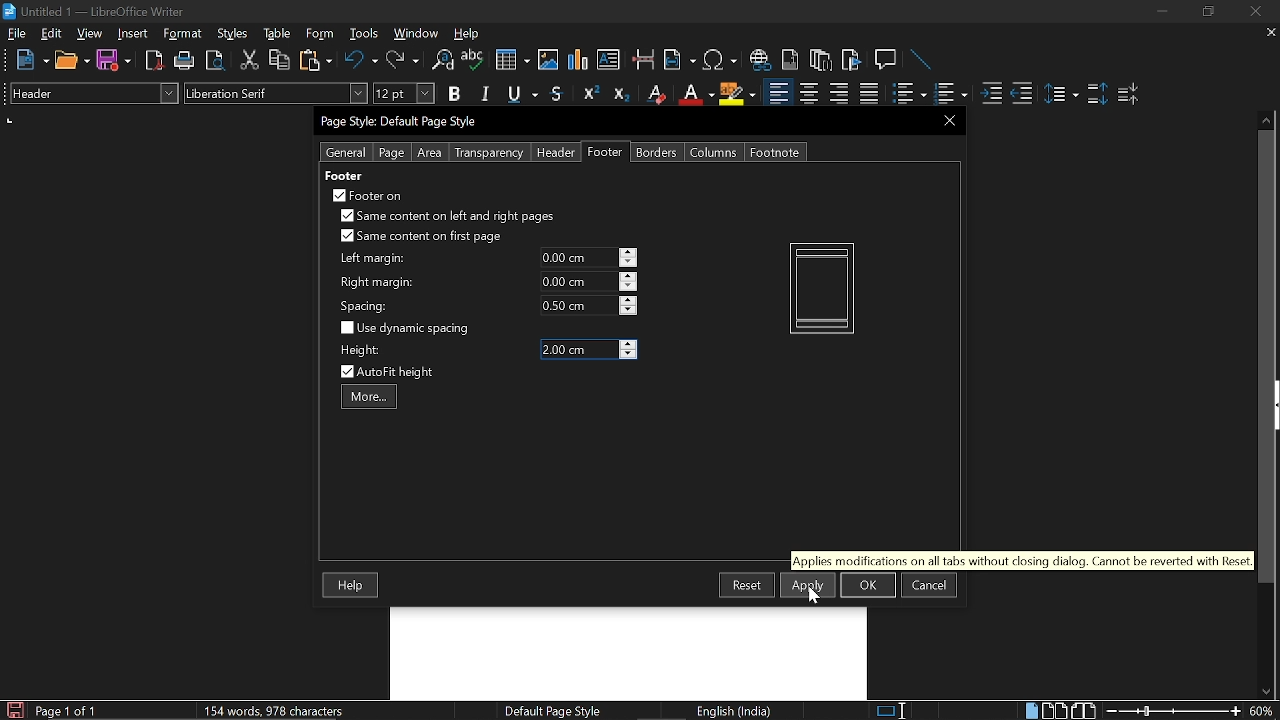 The image size is (1280, 720). I want to click on Tools, so click(364, 34).